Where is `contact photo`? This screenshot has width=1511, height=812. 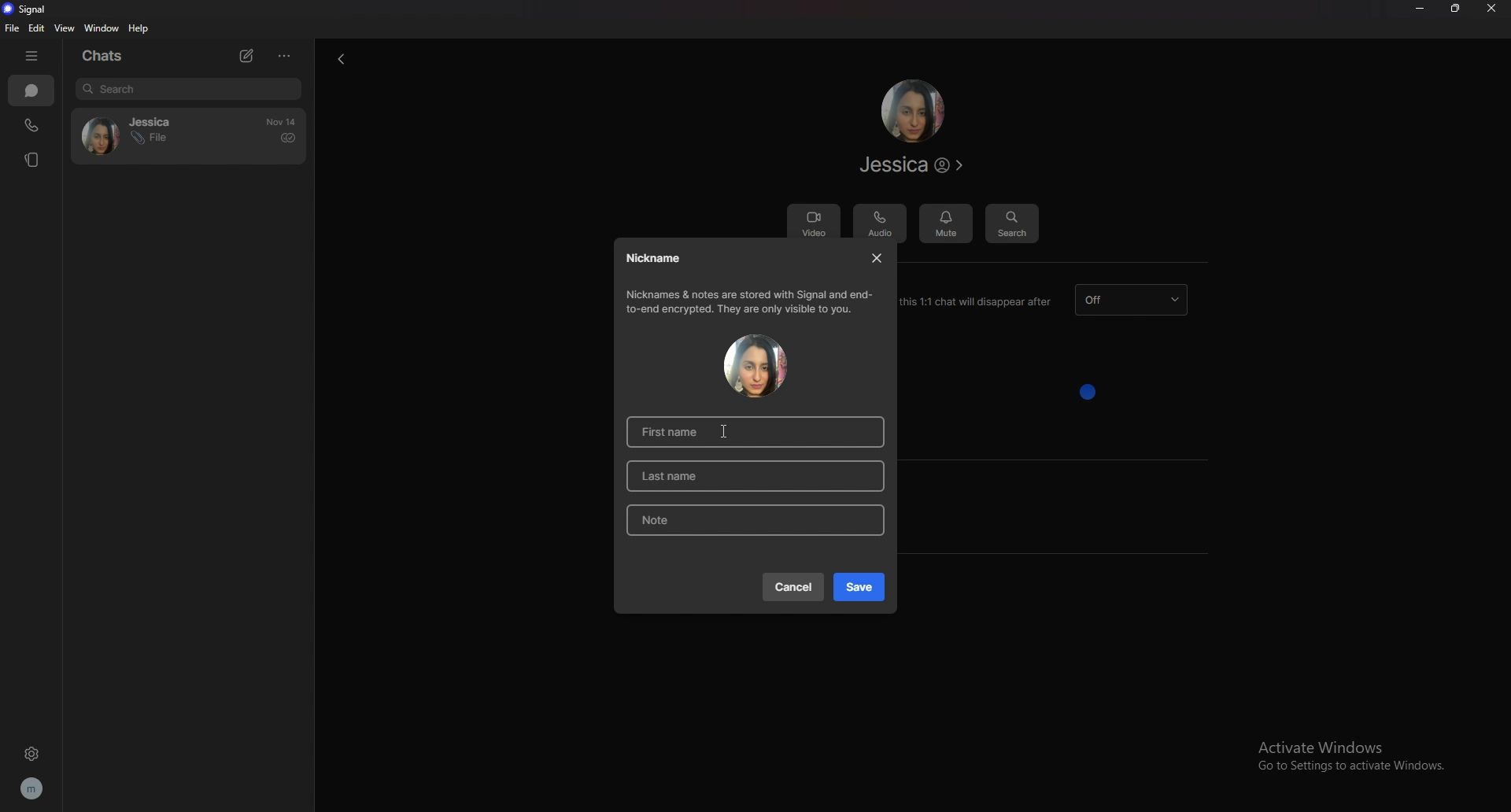
contact photo is located at coordinates (755, 366).